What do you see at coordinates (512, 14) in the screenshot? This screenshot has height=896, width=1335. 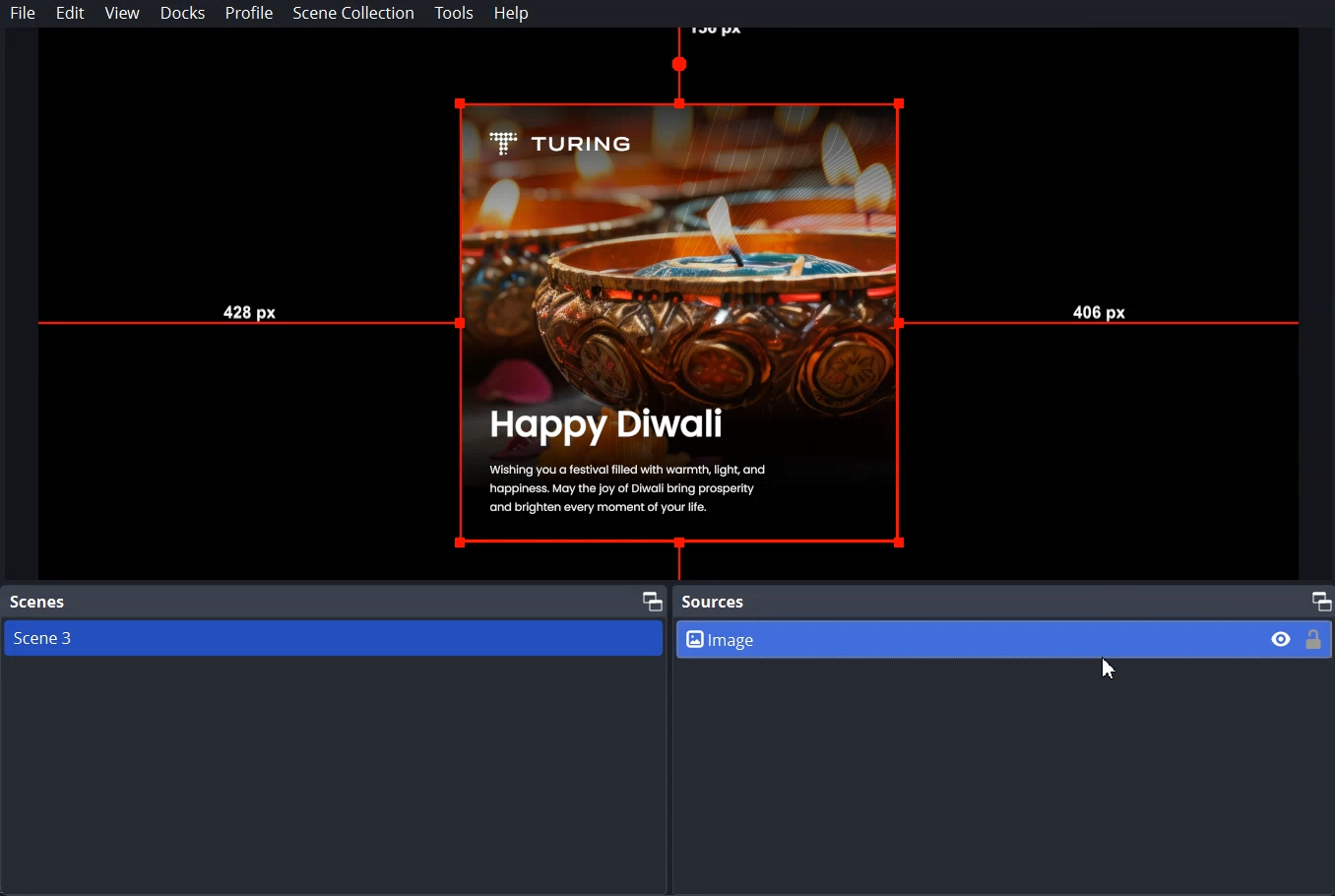 I see `Help` at bounding box center [512, 14].